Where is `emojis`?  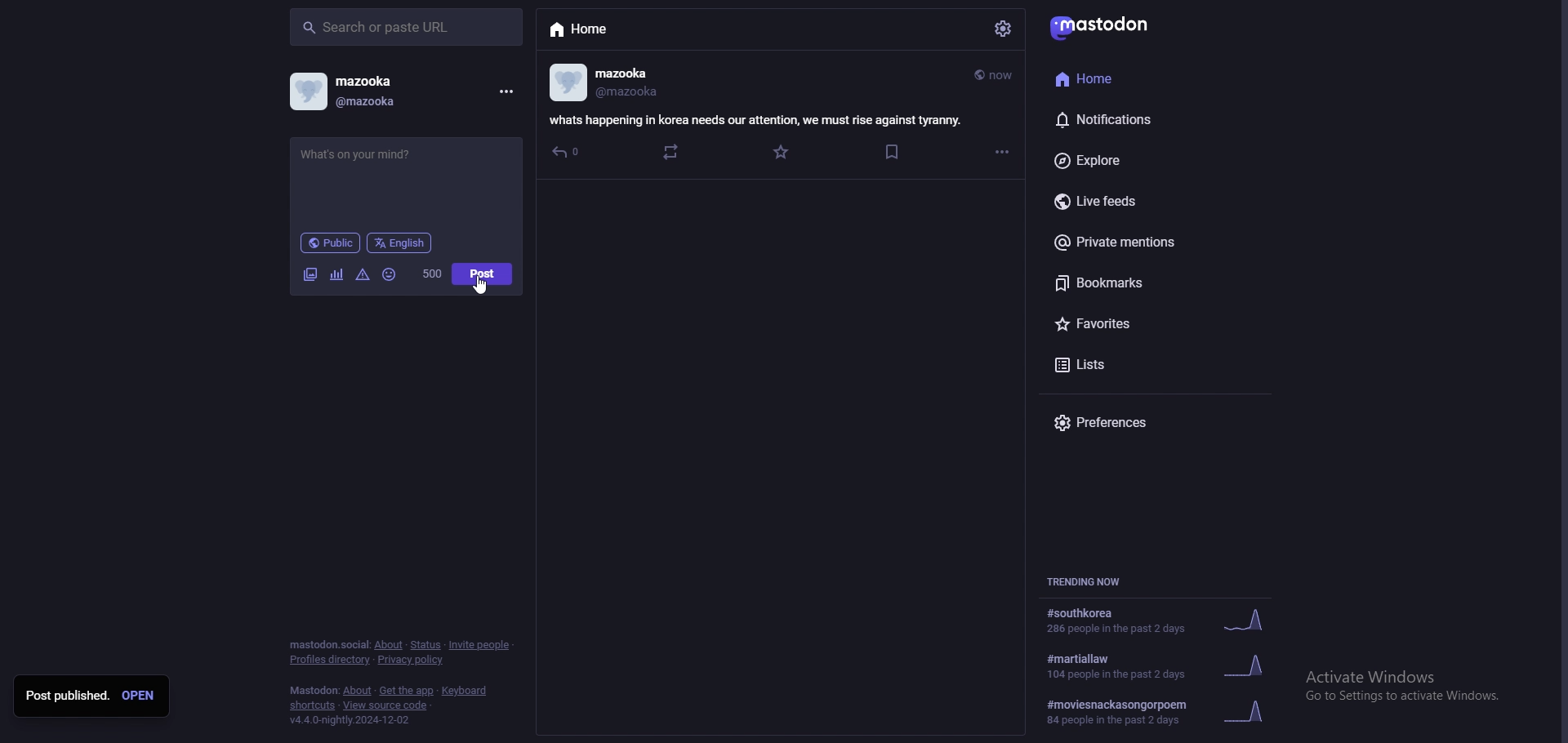
emojis is located at coordinates (390, 275).